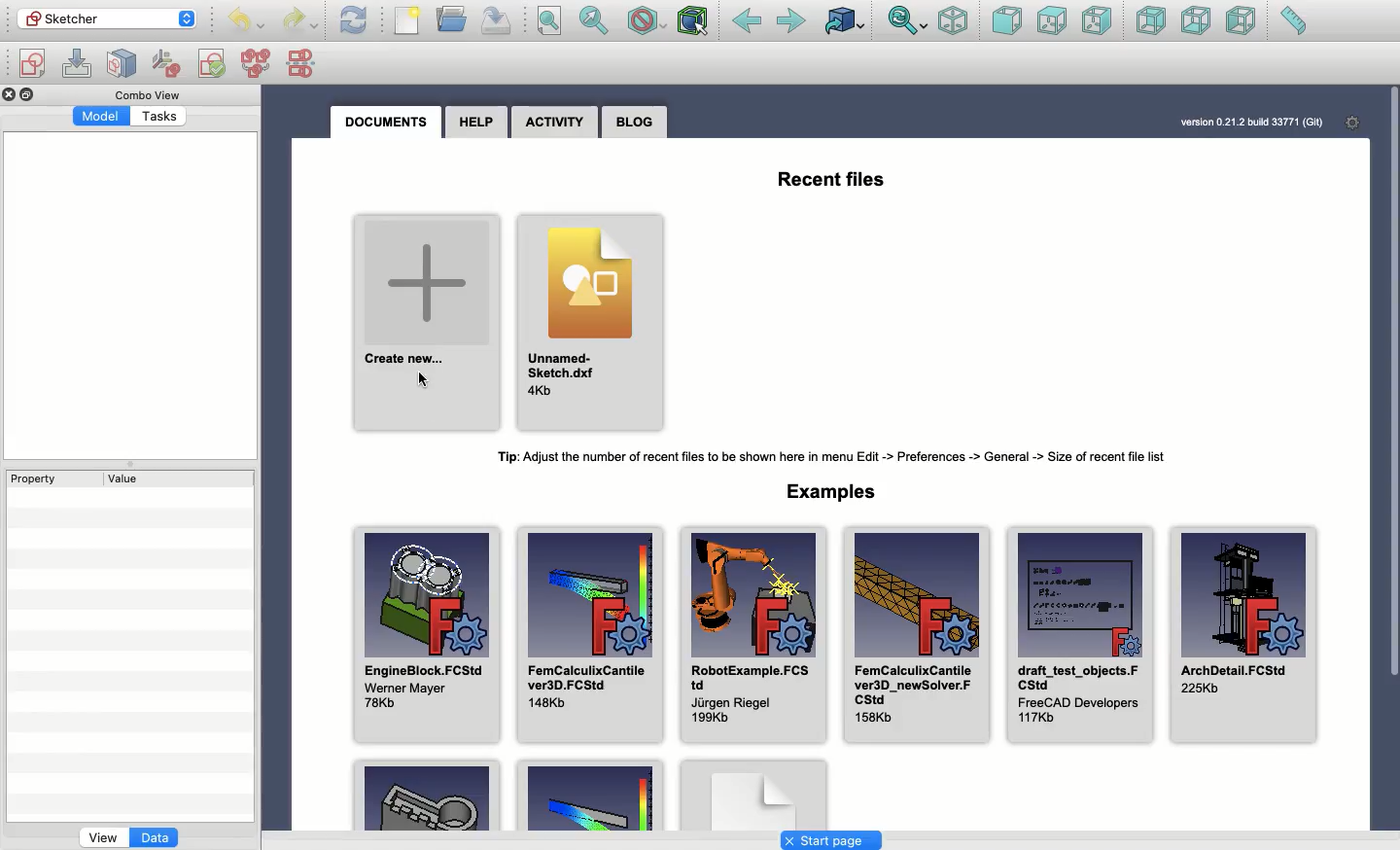 Image resolution: width=1400 pixels, height=850 pixels. What do you see at coordinates (1099, 22) in the screenshot?
I see `Right` at bounding box center [1099, 22].